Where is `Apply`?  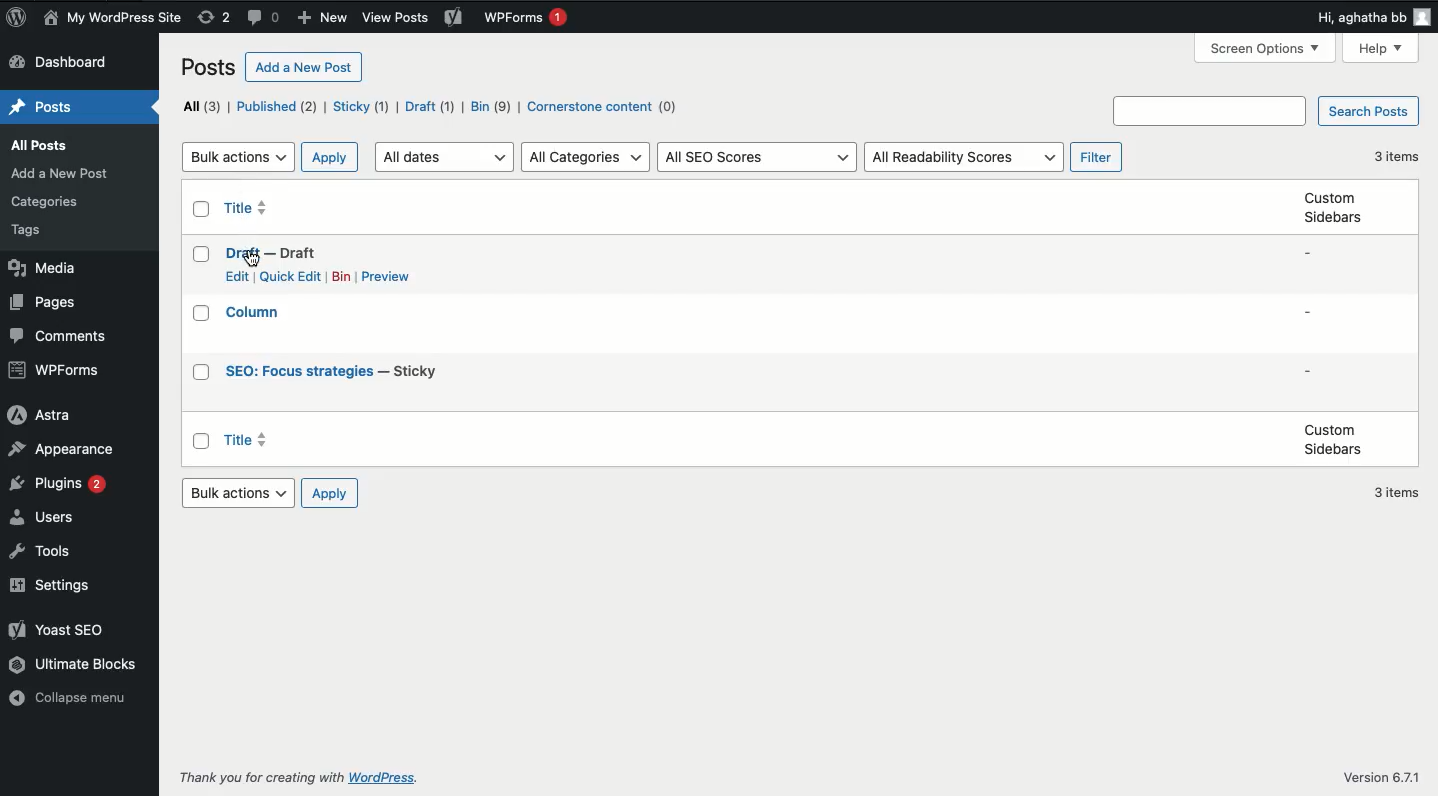 Apply is located at coordinates (328, 493).